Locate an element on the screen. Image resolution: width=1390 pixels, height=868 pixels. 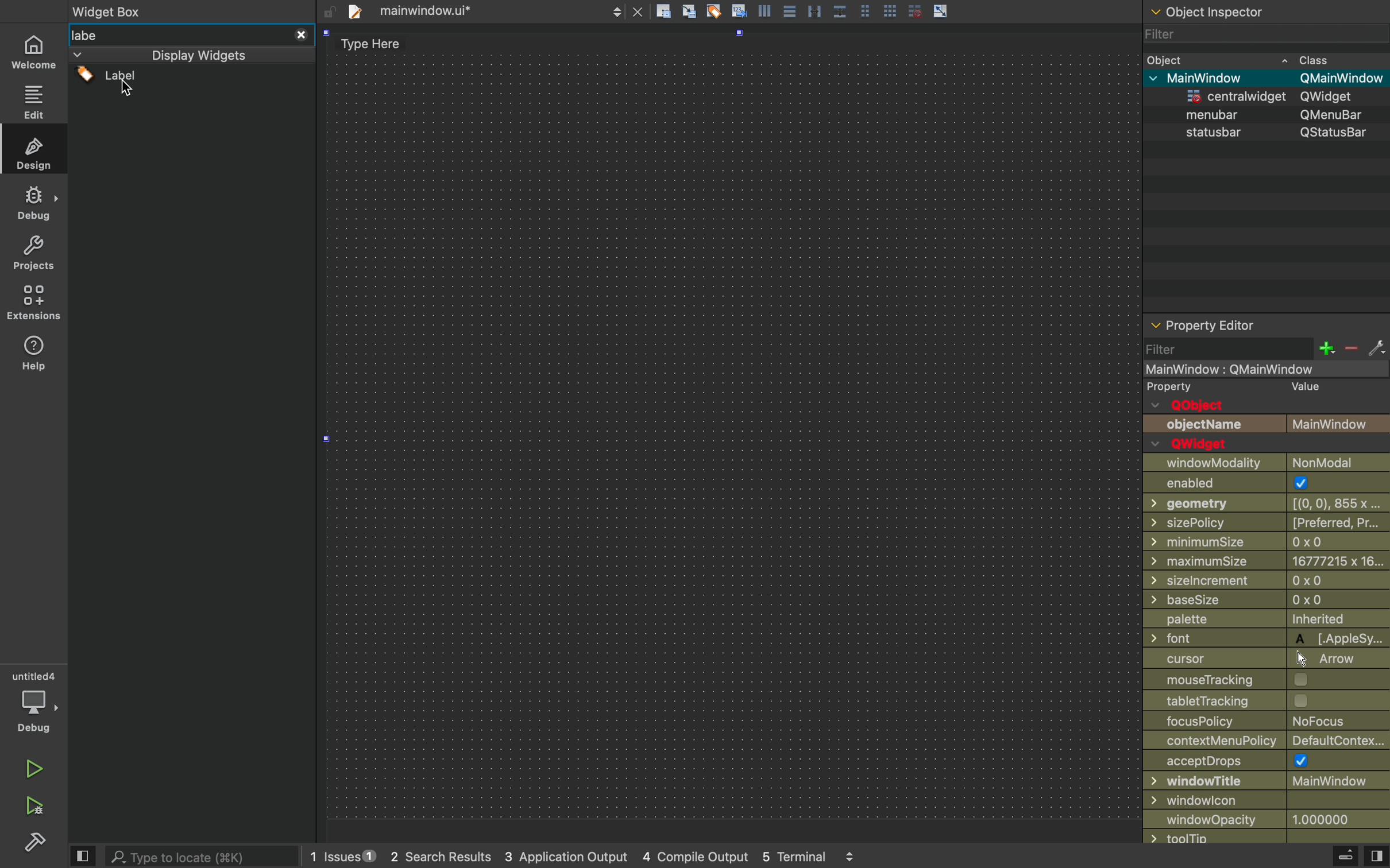
Icon is located at coordinates (739, 10).